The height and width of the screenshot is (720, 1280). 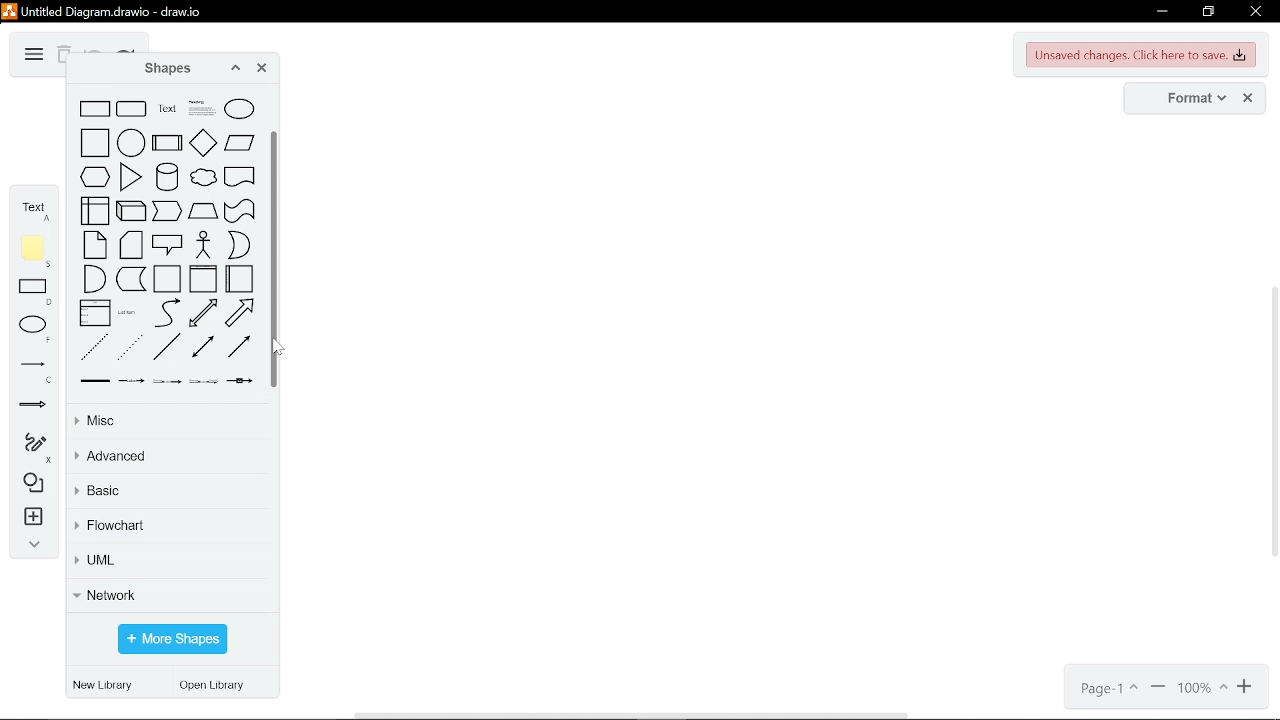 I want to click on cube, so click(x=131, y=211).